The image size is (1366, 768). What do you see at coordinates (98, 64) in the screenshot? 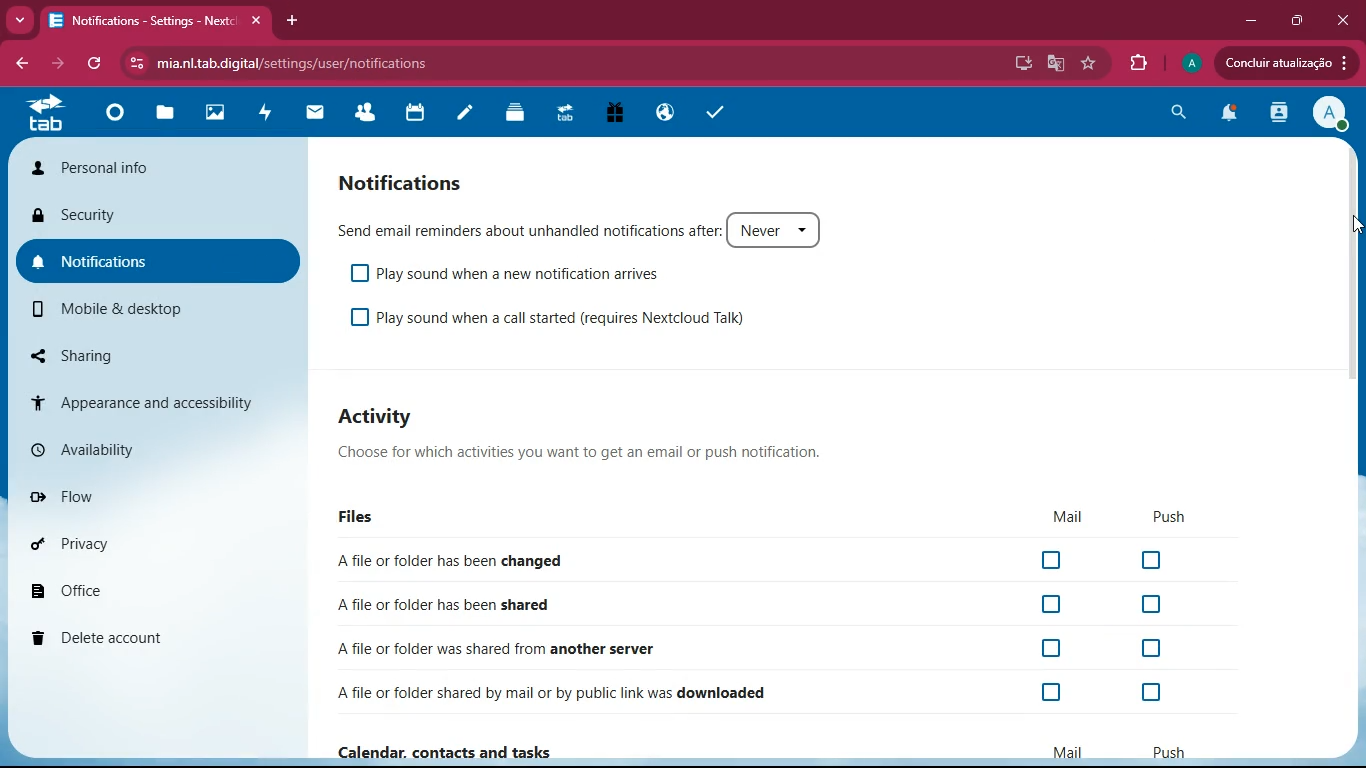
I see `refresh` at bounding box center [98, 64].